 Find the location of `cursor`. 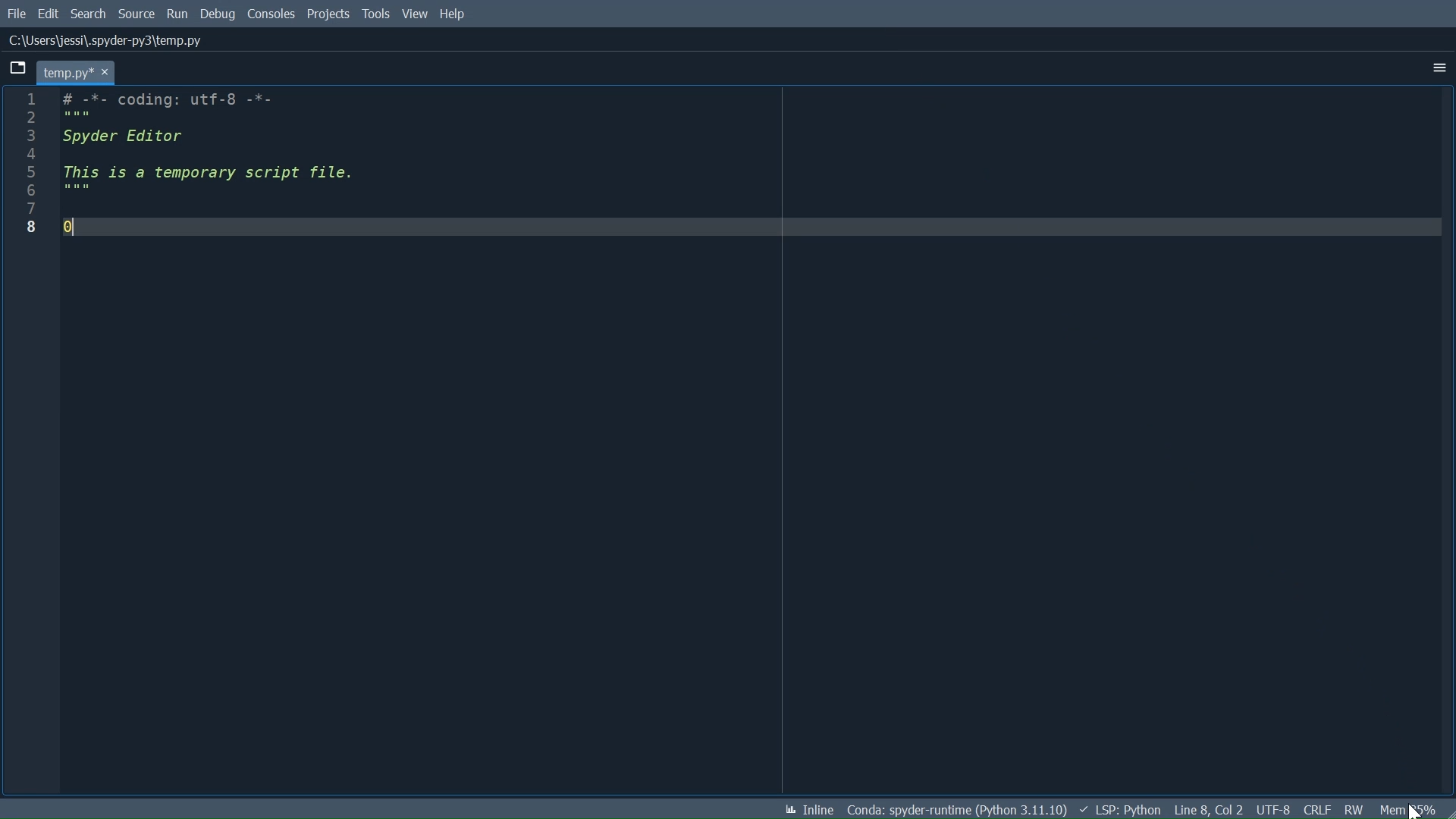

cursor is located at coordinates (1414, 808).